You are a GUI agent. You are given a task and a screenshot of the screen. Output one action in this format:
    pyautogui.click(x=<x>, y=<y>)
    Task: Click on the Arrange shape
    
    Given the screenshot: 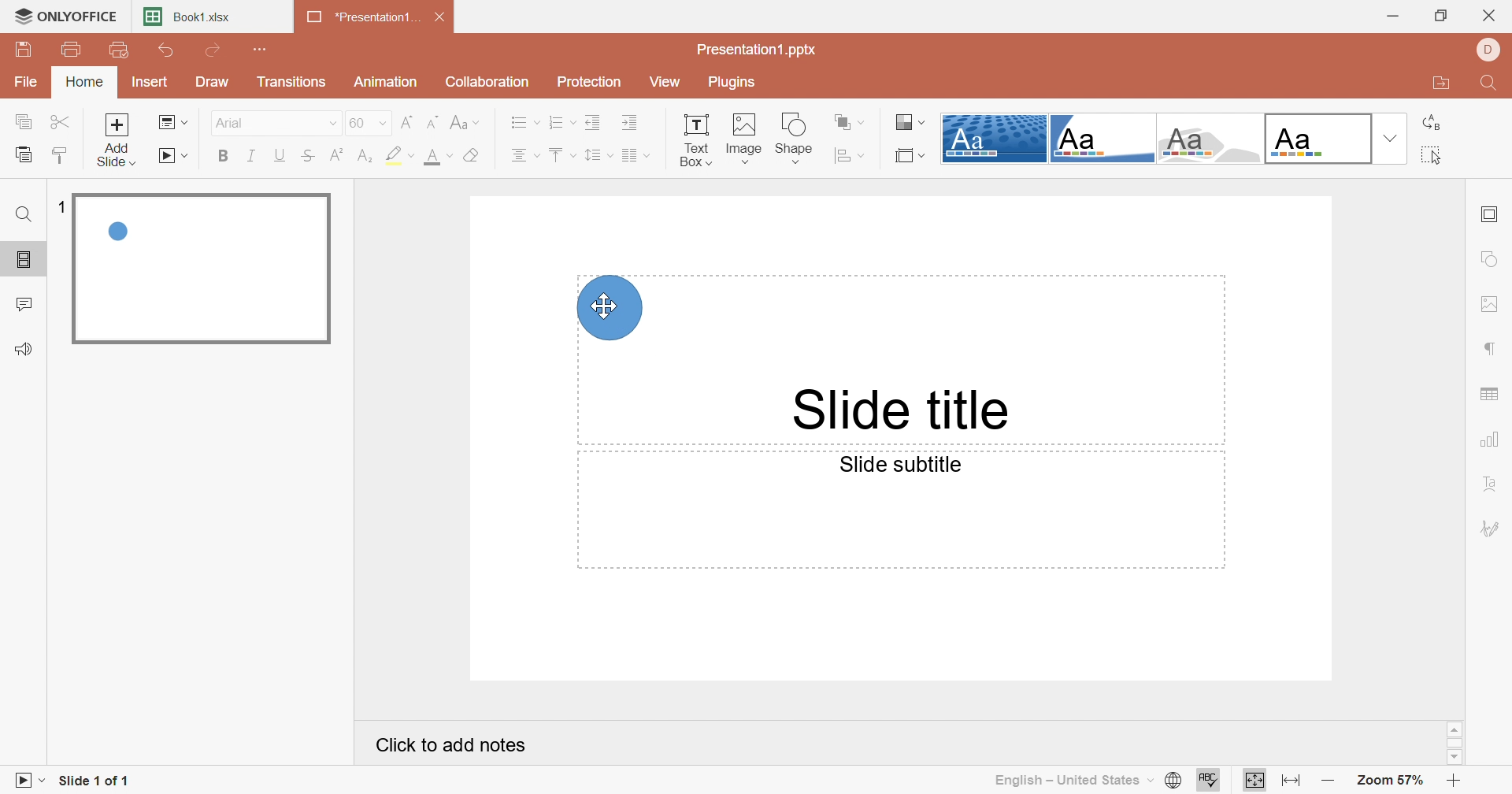 What is the action you would take?
    pyautogui.click(x=849, y=121)
    